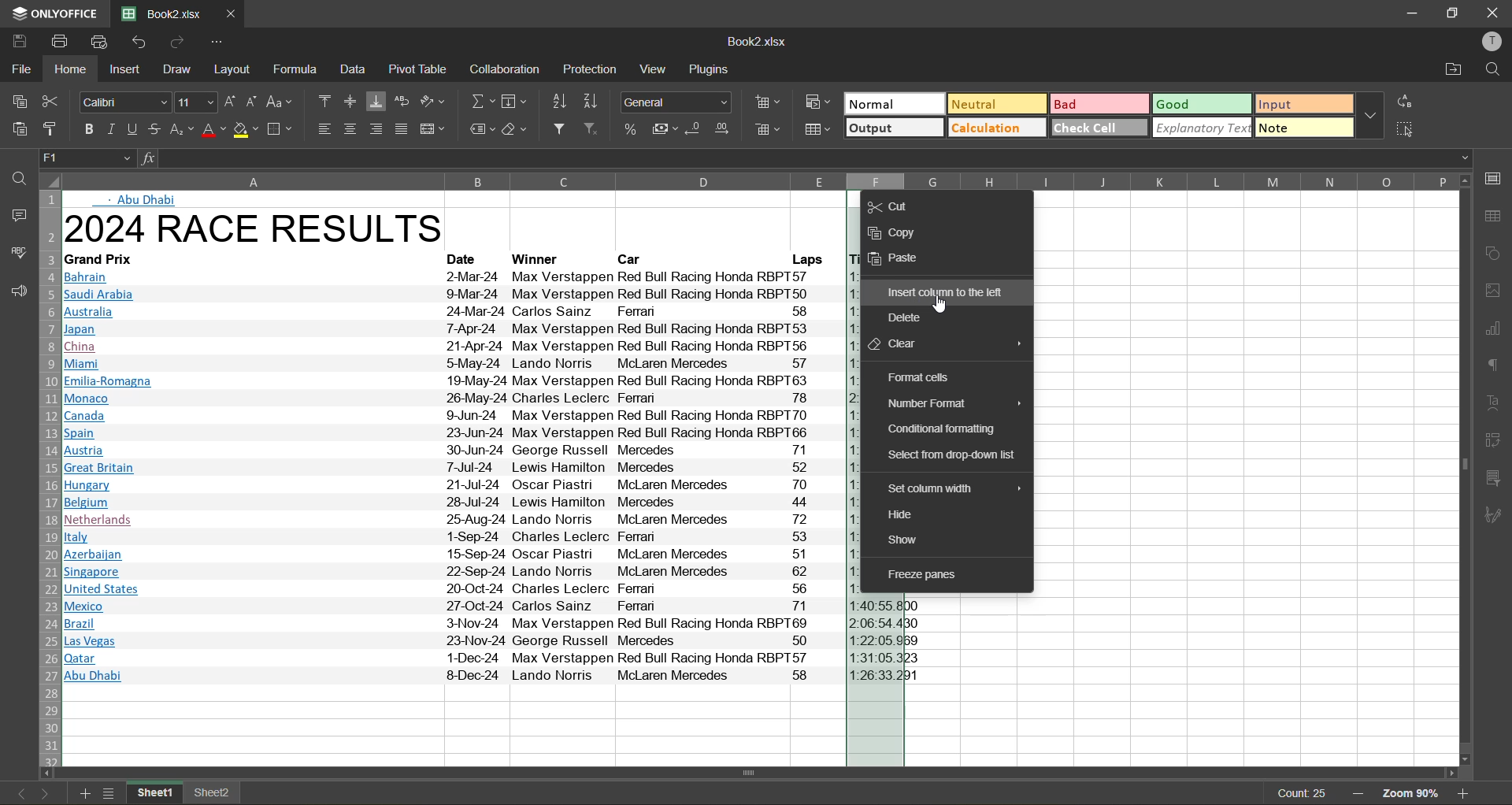 This screenshot has height=805, width=1512. What do you see at coordinates (453, 328) in the screenshot?
I see `Japan T7-Apr-24 Max Verstappen Red Bull Racing Honda RBPT53 1:54:23.566` at bounding box center [453, 328].